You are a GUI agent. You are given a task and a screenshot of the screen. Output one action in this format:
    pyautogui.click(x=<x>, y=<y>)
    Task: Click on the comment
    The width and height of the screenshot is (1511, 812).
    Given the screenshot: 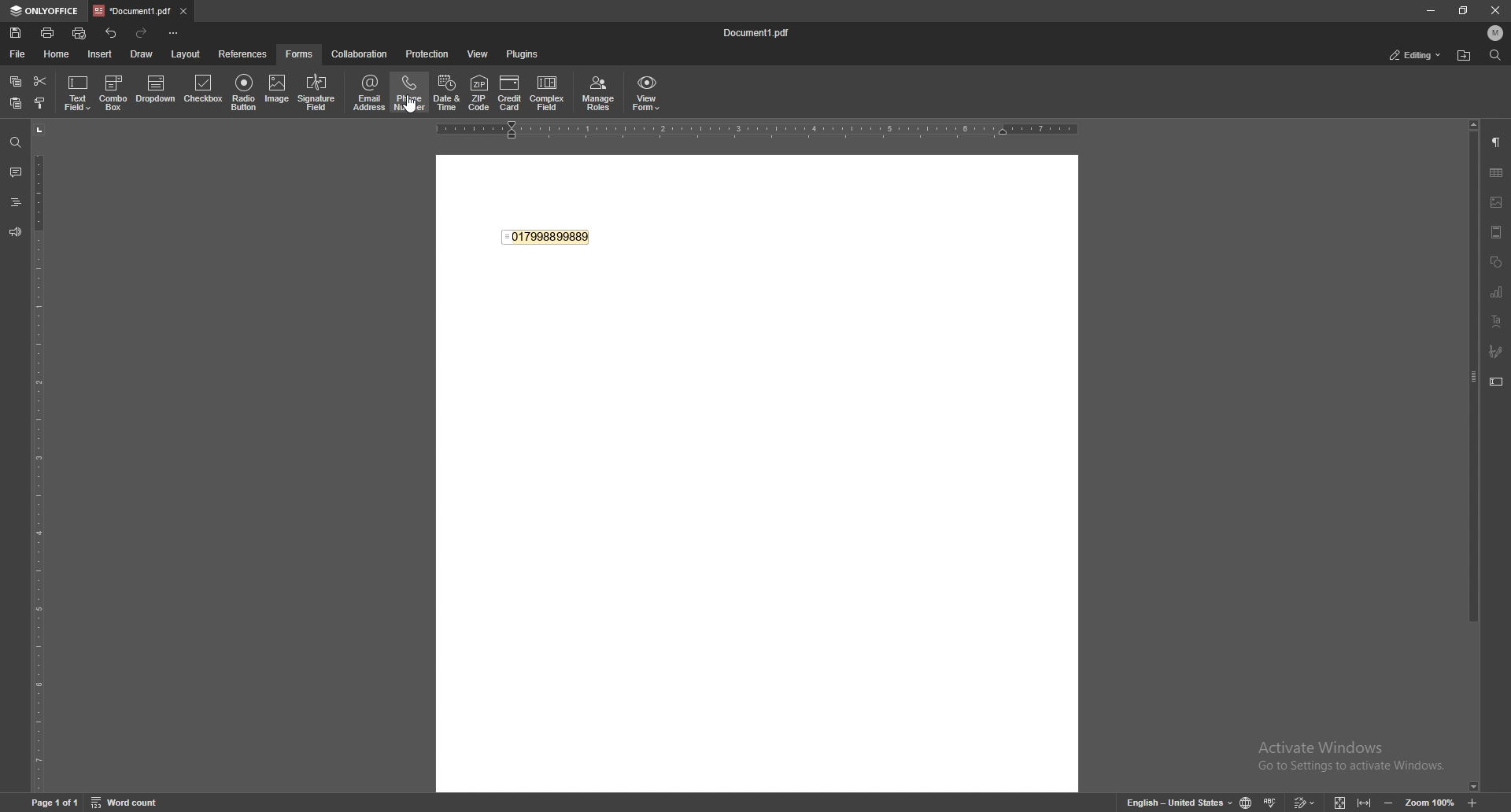 What is the action you would take?
    pyautogui.click(x=15, y=172)
    